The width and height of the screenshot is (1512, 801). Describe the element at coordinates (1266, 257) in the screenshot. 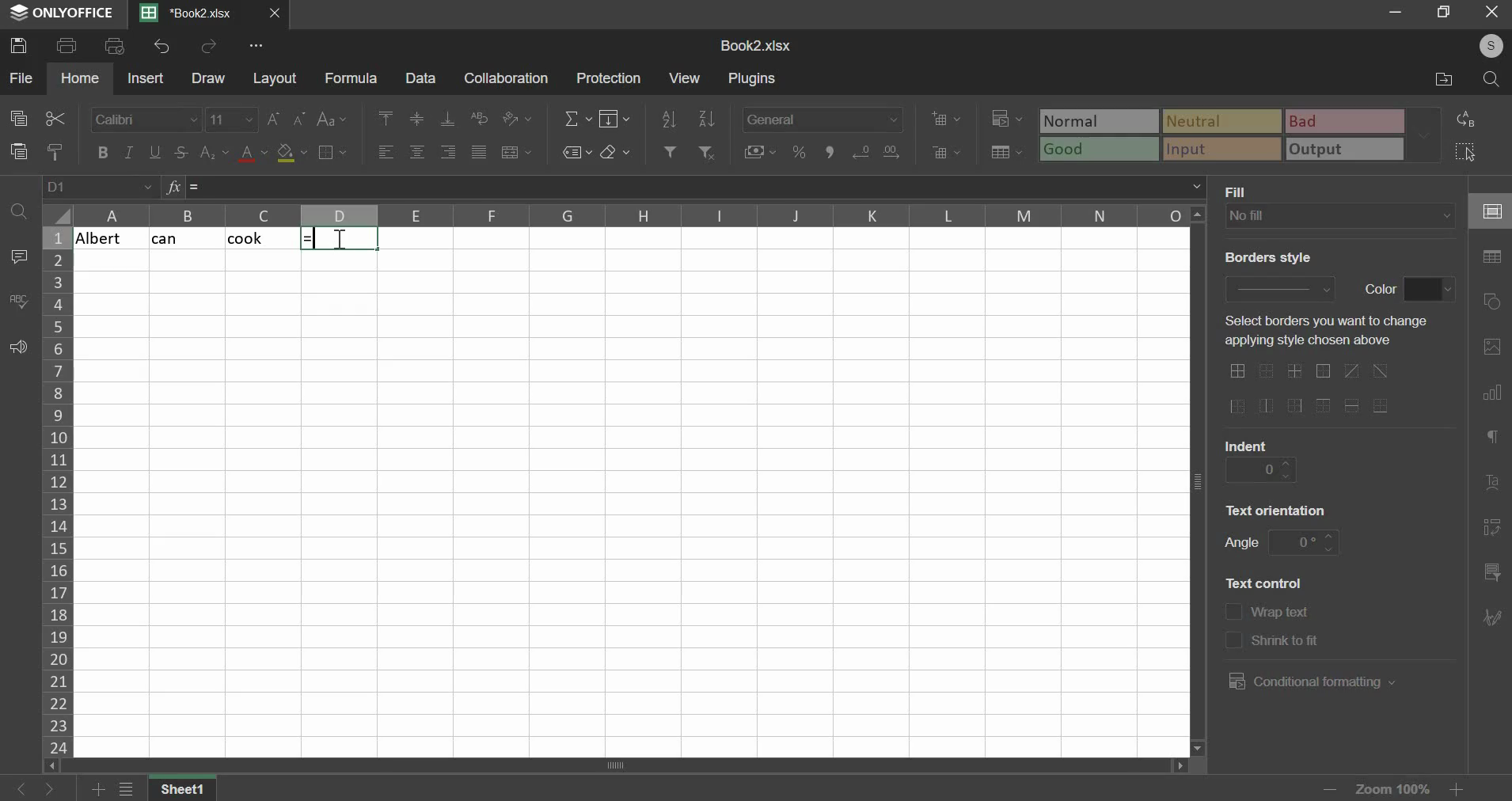

I see `text` at that location.